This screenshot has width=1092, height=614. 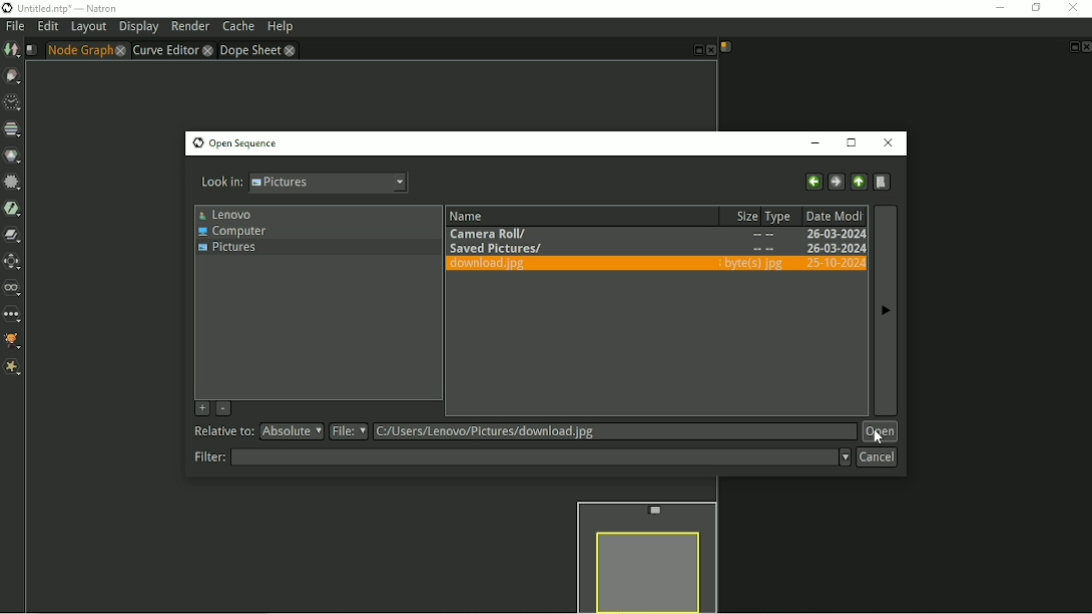 I want to click on Script name, so click(x=726, y=47).